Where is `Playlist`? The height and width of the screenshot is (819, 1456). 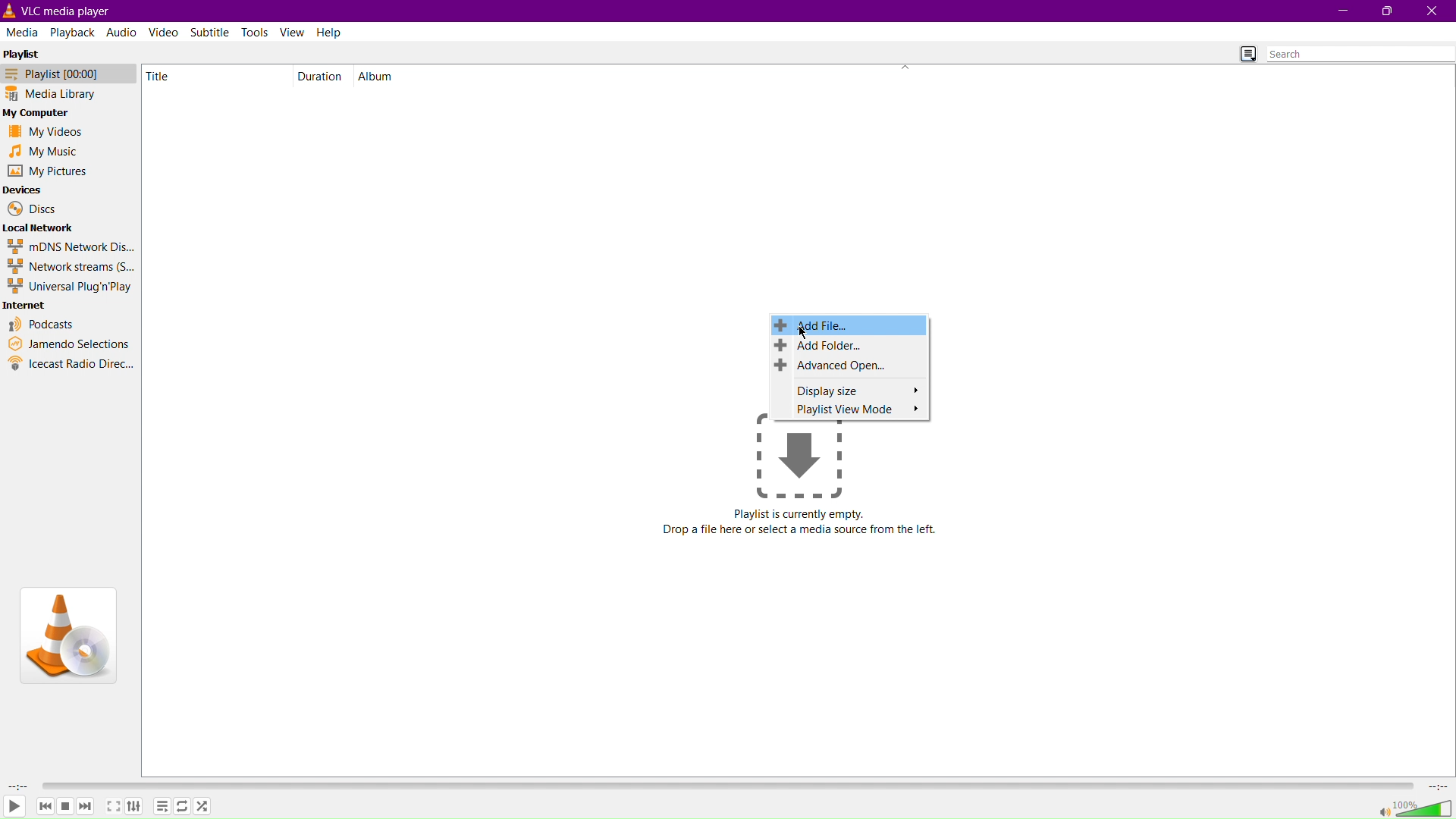 Playlist is located at coordinates (27, 52).